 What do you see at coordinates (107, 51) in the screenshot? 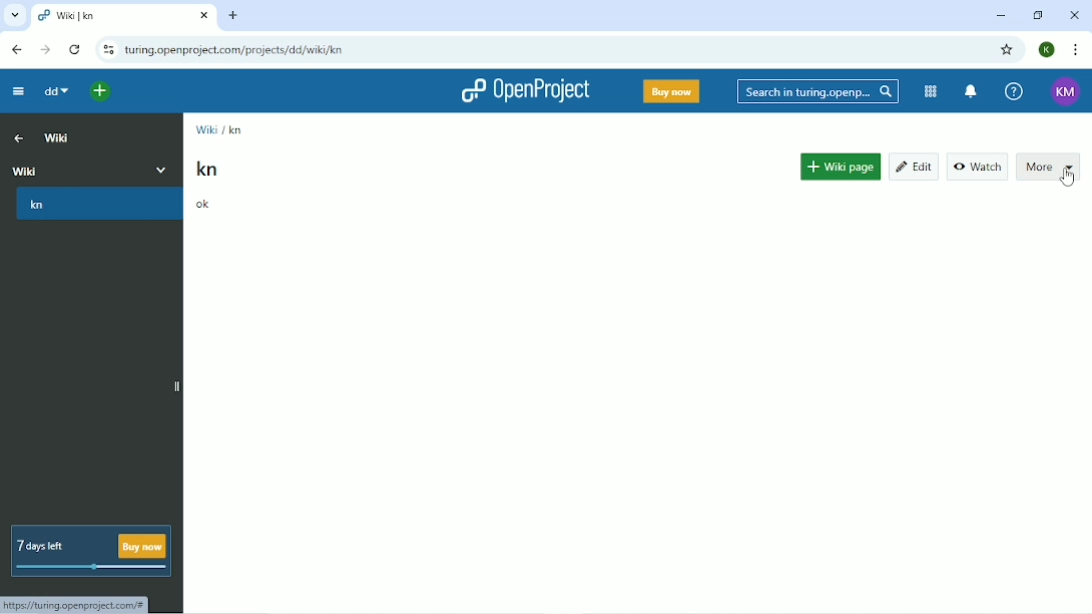
I see `View site information` at bounding box center [107, 51].